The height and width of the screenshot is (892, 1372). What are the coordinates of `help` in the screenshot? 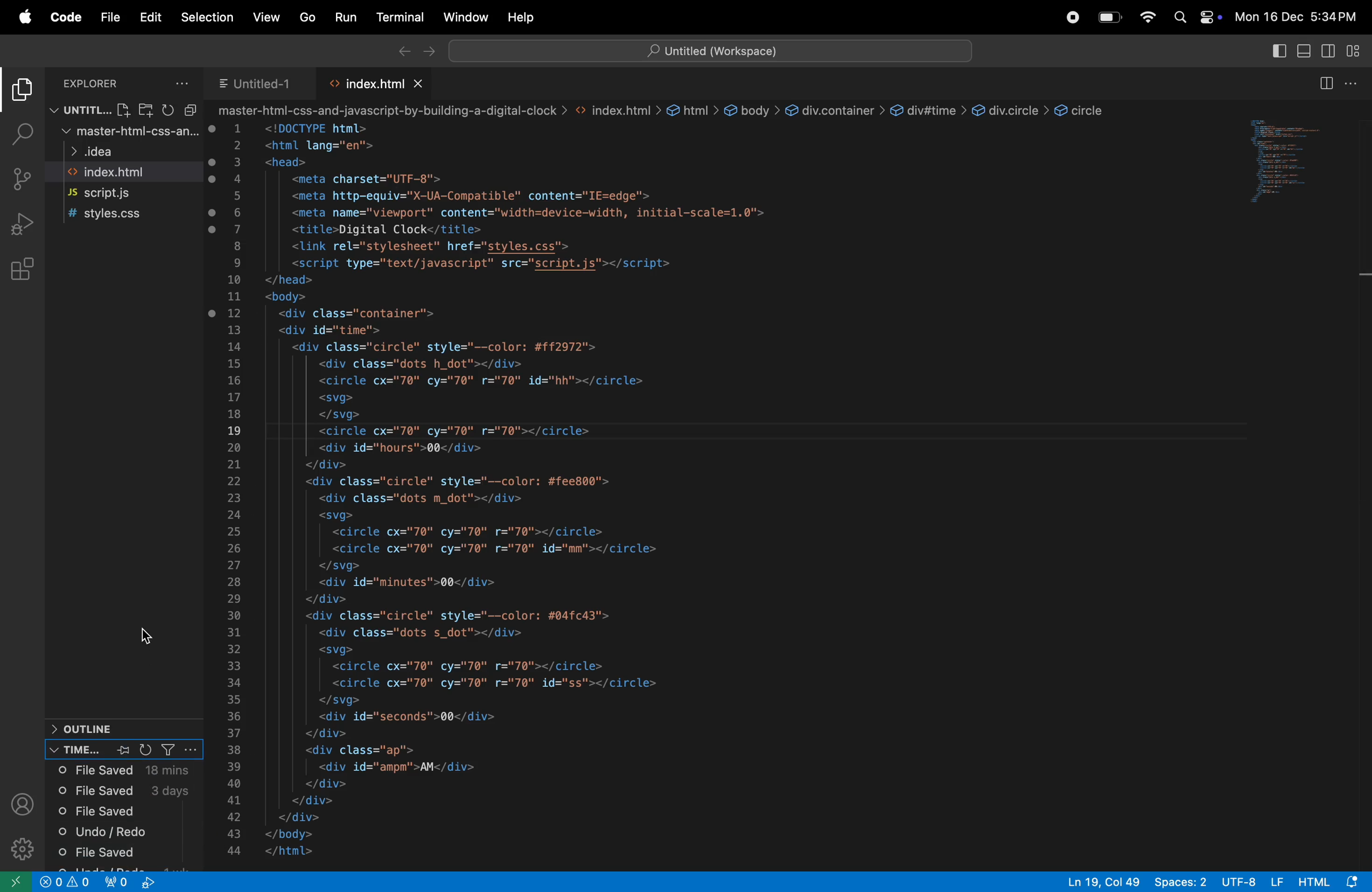 It's located at (523, 17).